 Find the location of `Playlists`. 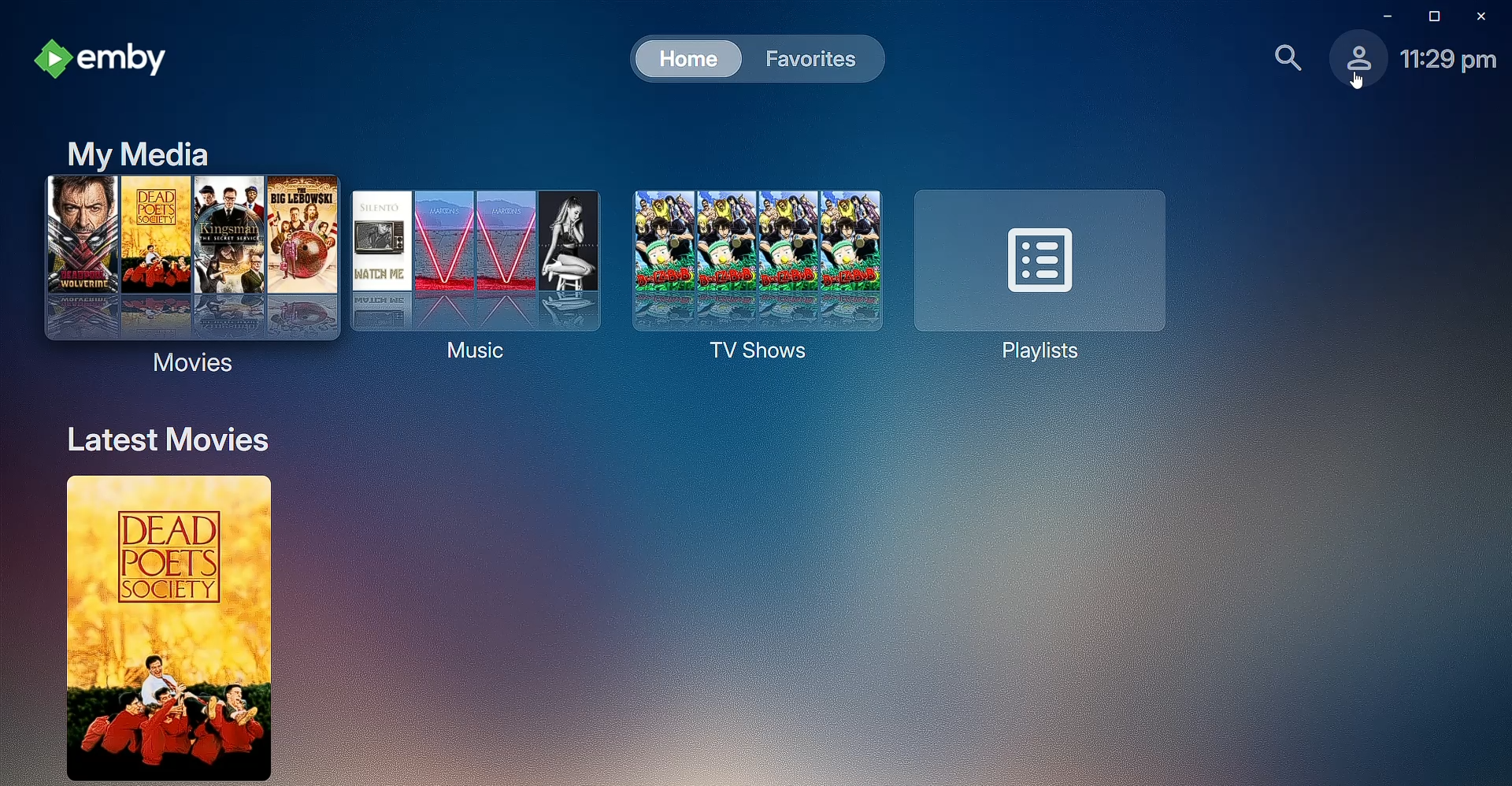

Playlists is located at coordinates (1046, 273).